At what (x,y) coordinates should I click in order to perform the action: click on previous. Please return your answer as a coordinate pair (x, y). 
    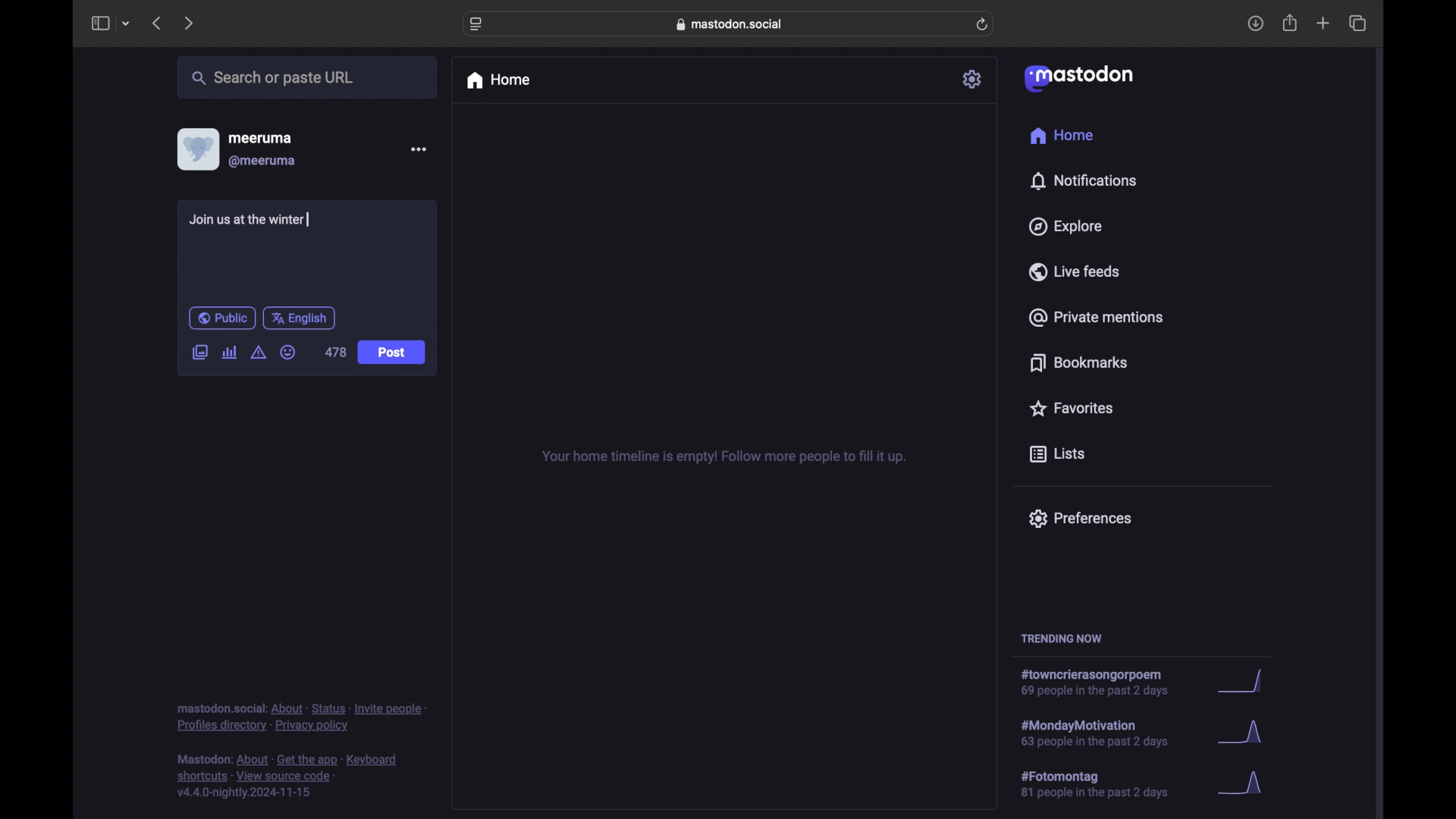
    Looking at the image, I should click on (156, 23).